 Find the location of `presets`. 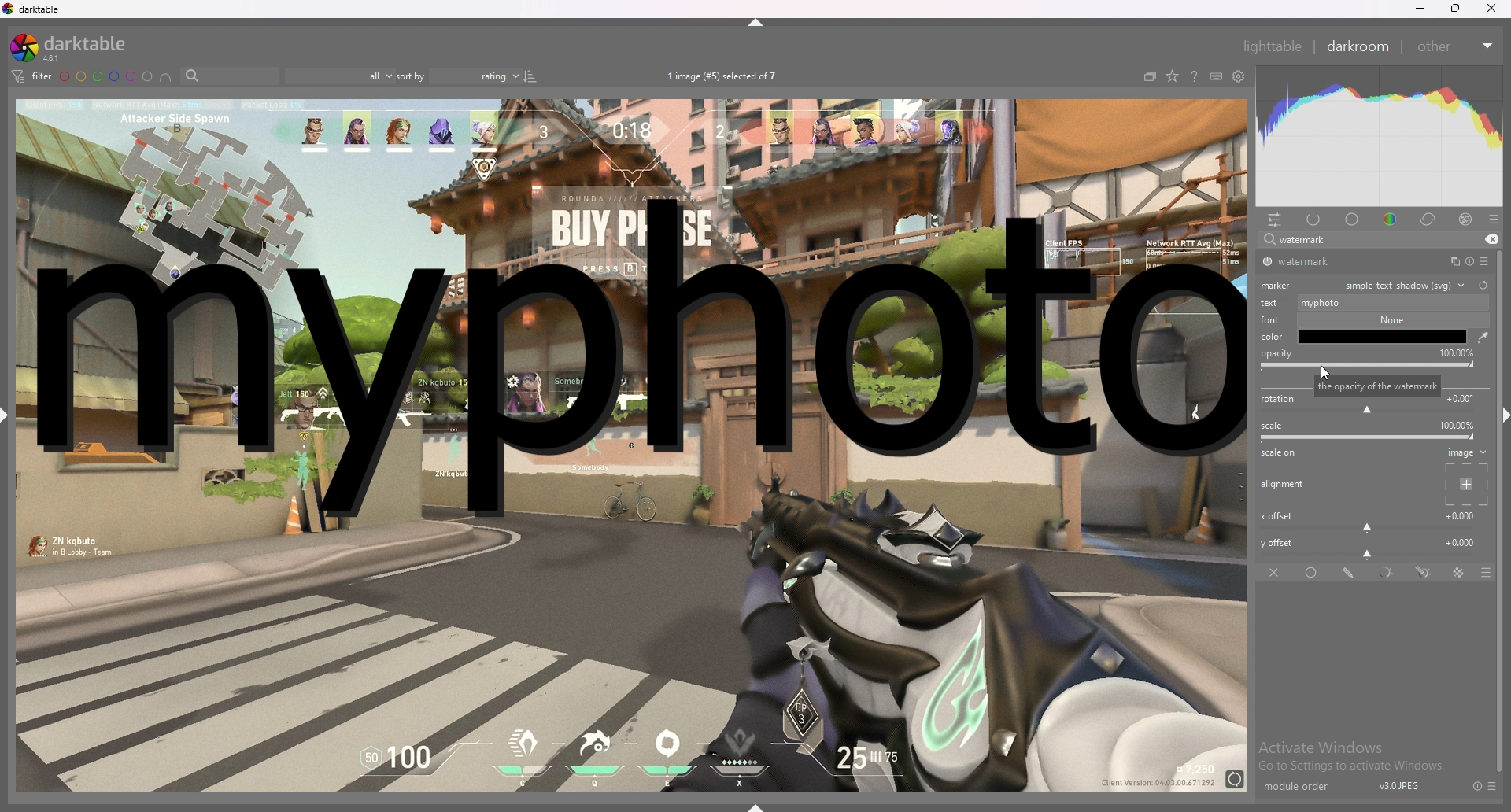

presets is located at coordinates (1493, 786).